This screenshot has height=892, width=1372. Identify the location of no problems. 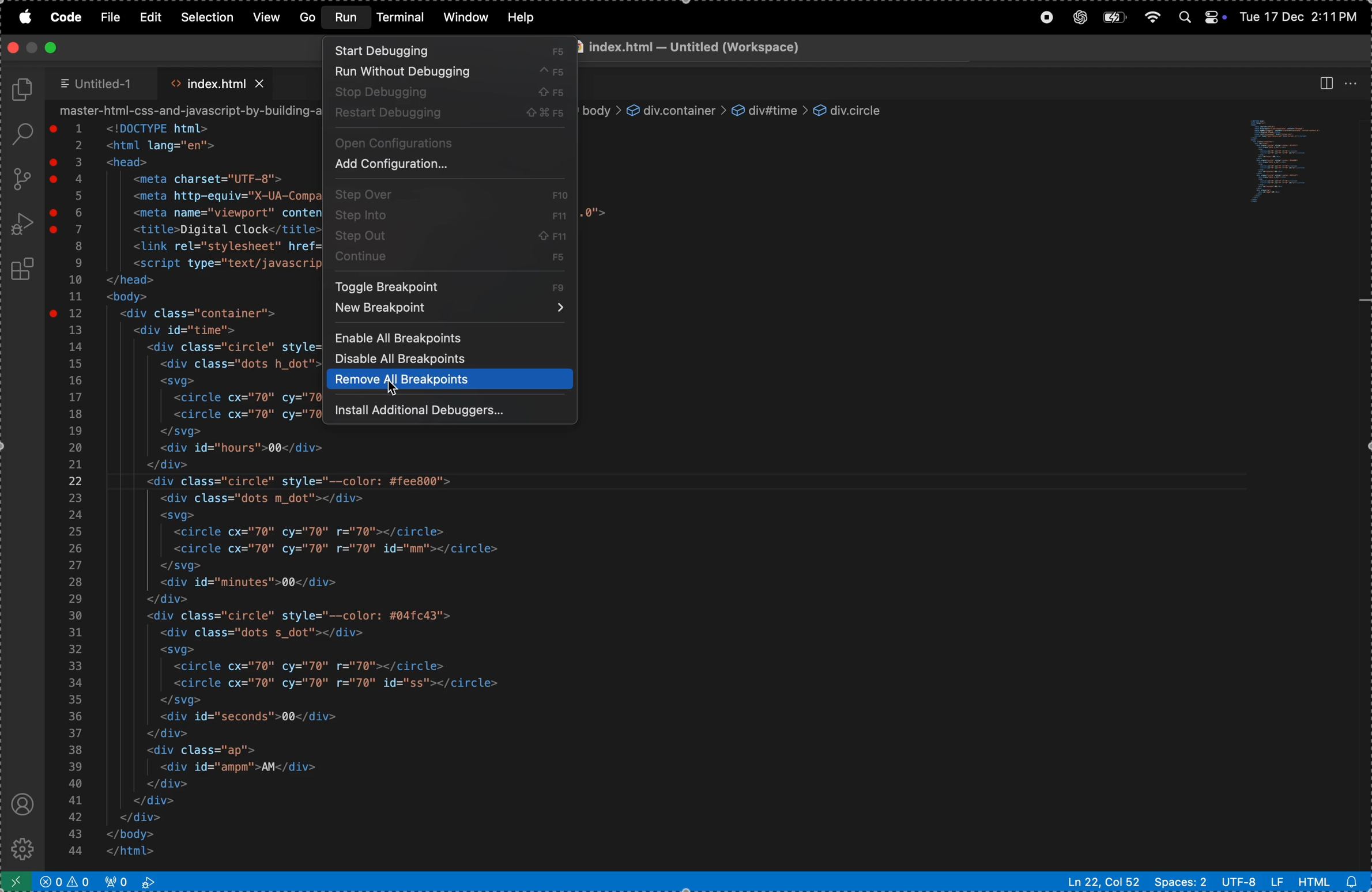
(68, 880).